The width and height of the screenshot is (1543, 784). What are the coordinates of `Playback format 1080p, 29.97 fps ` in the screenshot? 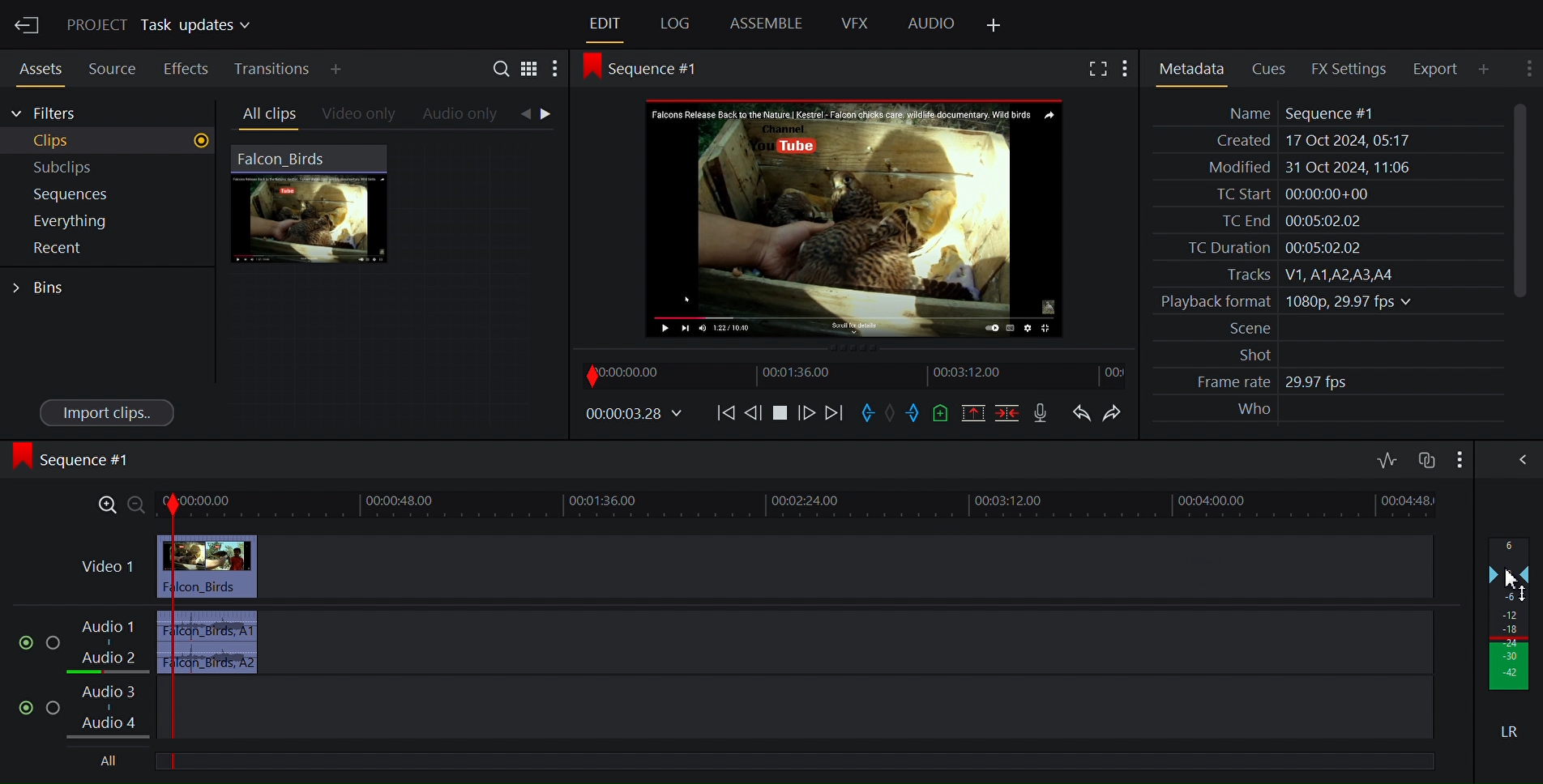 It's located at (1282, 302).